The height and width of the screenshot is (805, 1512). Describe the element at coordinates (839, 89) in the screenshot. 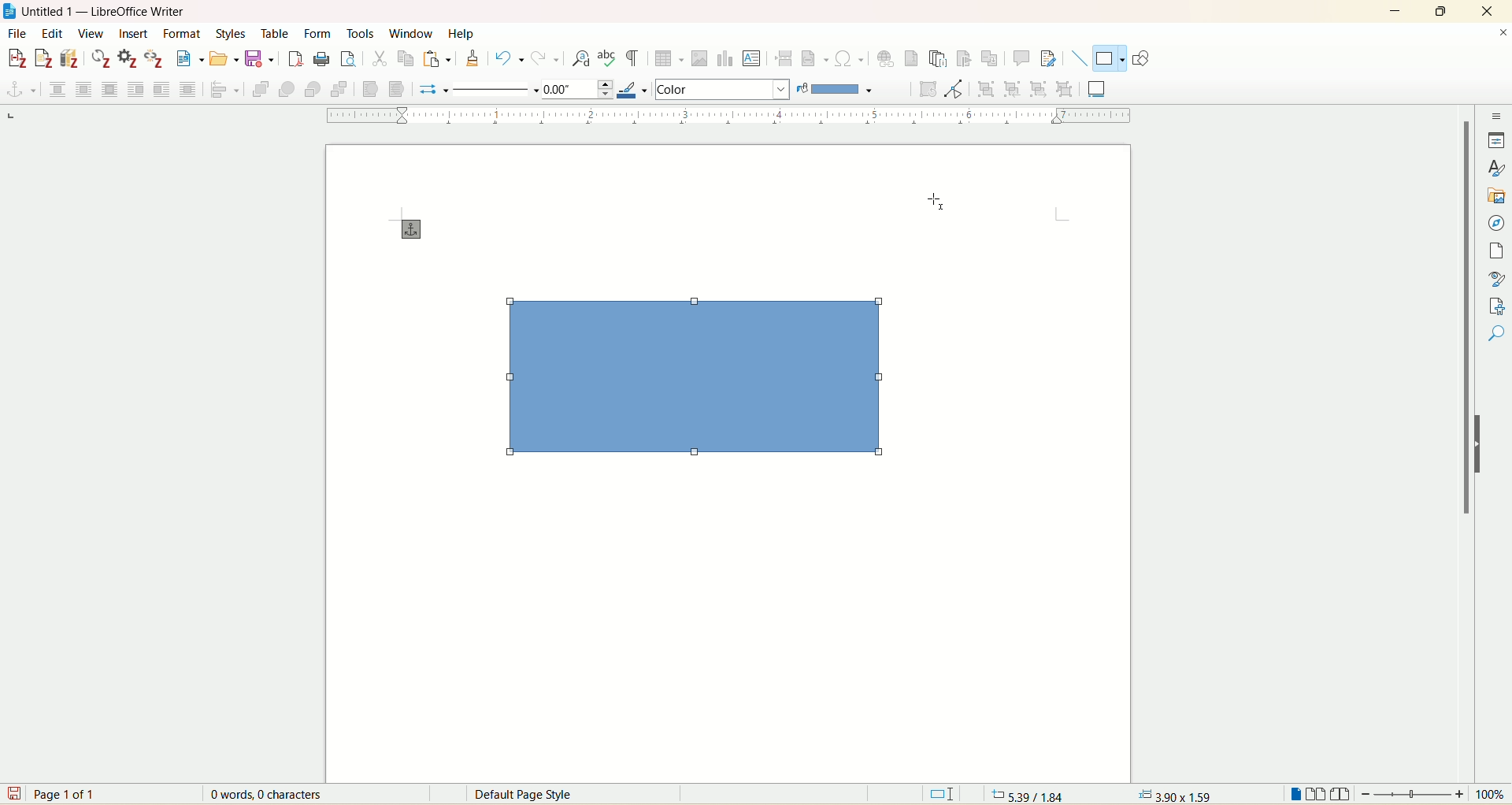

I see `fill color` at that location.